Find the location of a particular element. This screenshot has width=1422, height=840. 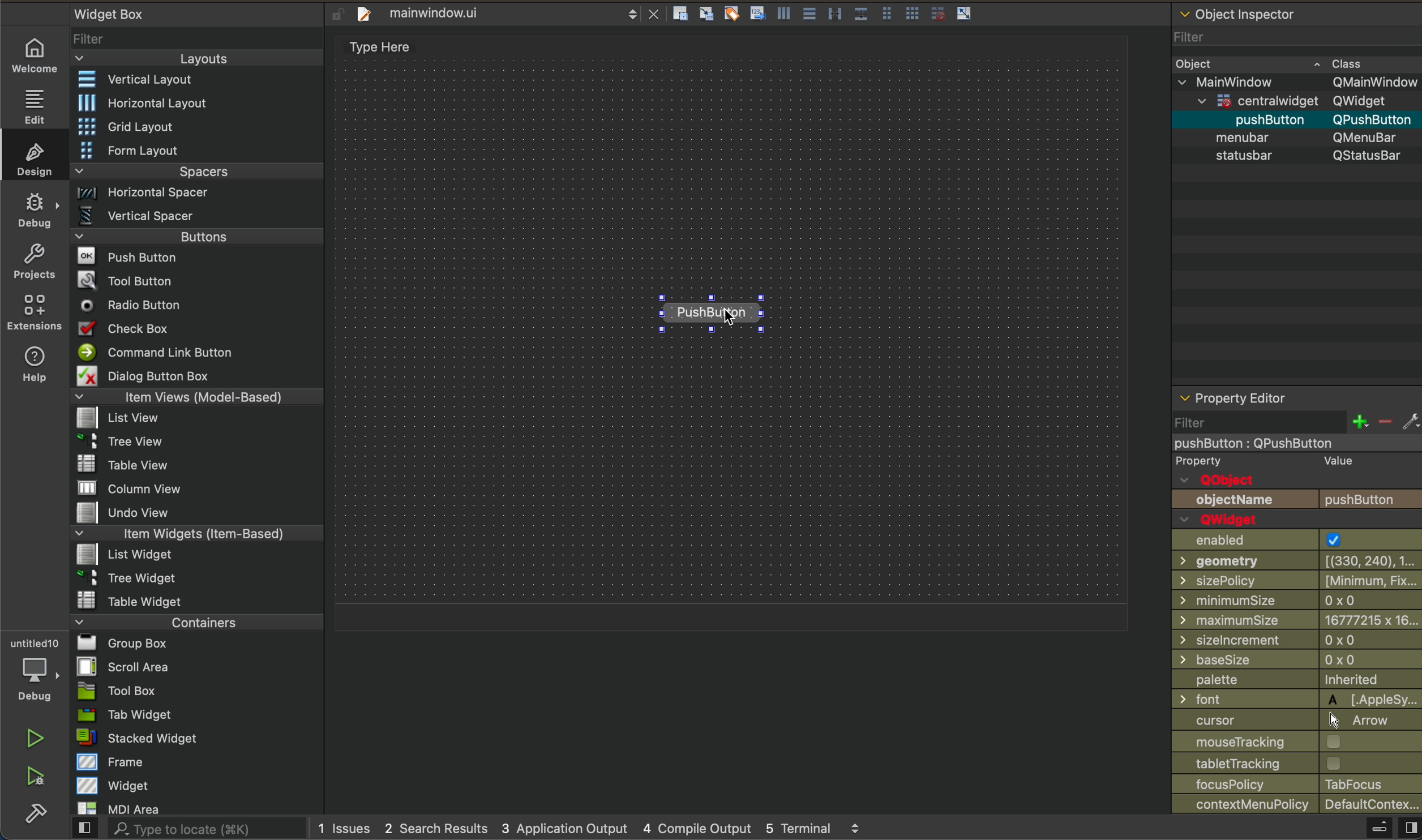

push button is located at coordinates (197, 258).